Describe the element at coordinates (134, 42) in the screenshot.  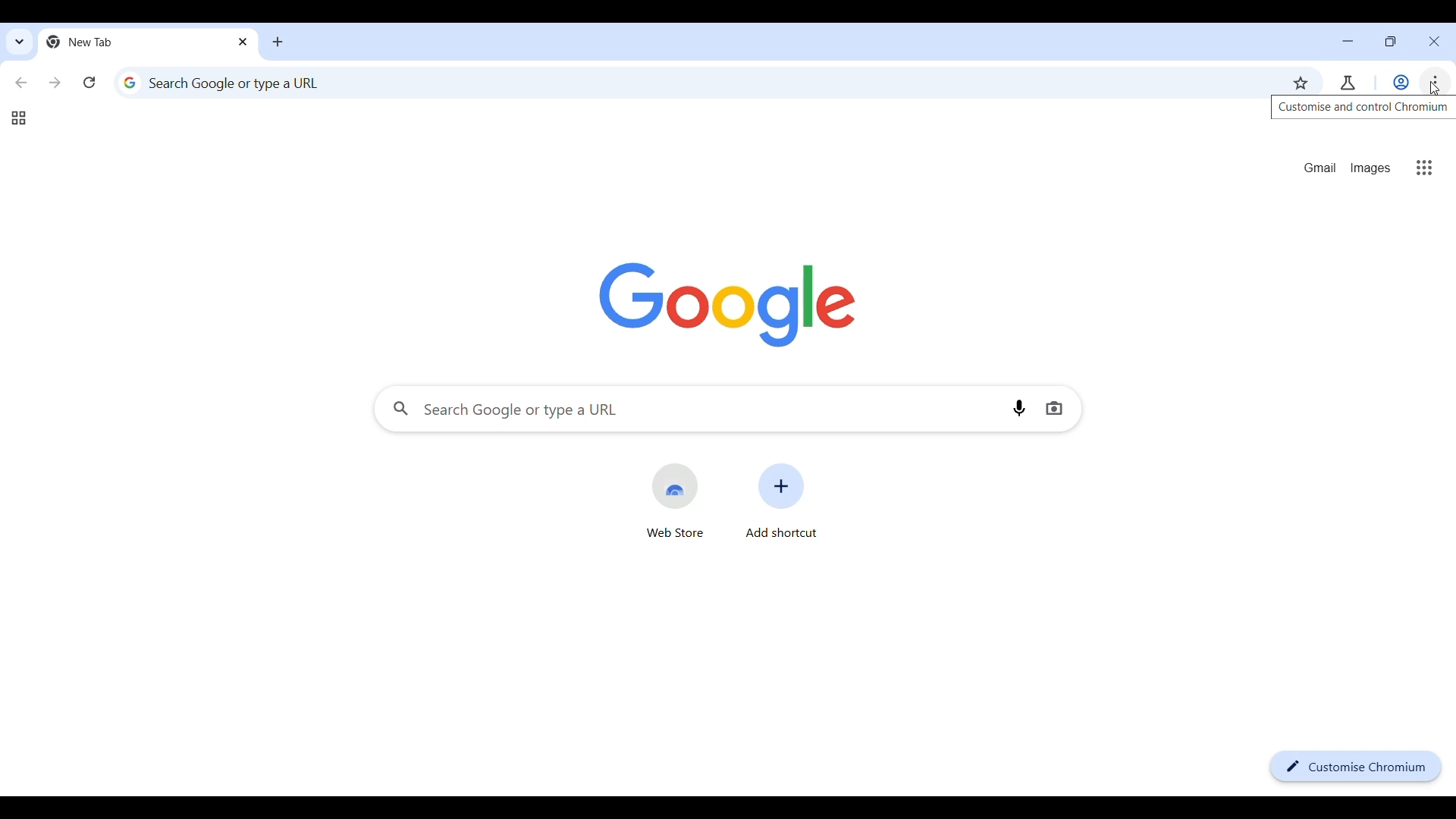
I see `Current open tab` at that location.